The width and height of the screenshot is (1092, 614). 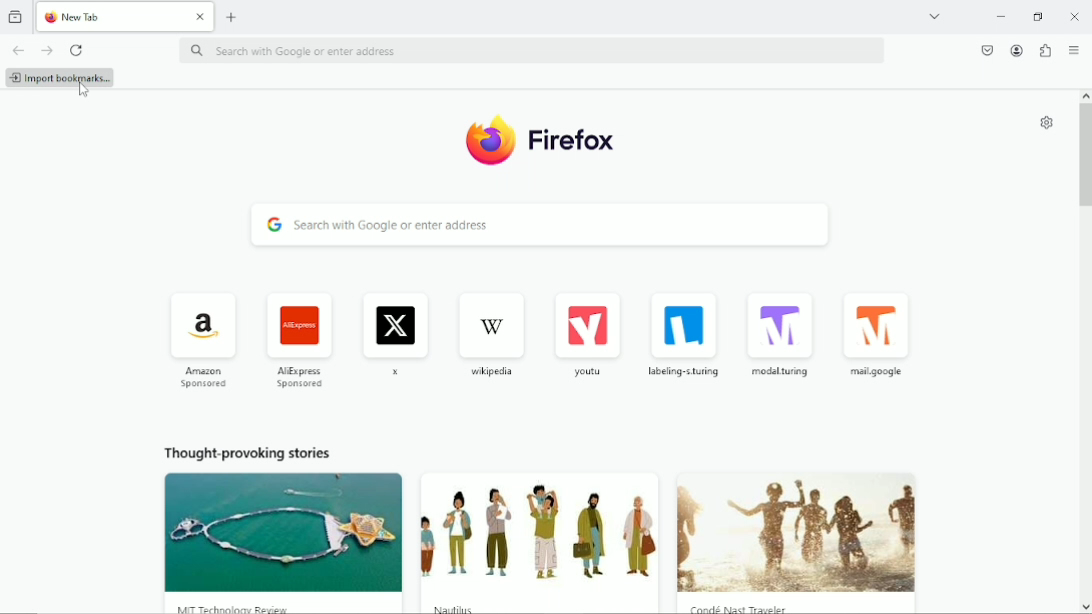 I want to click on go back, so click(x=17, y=50).